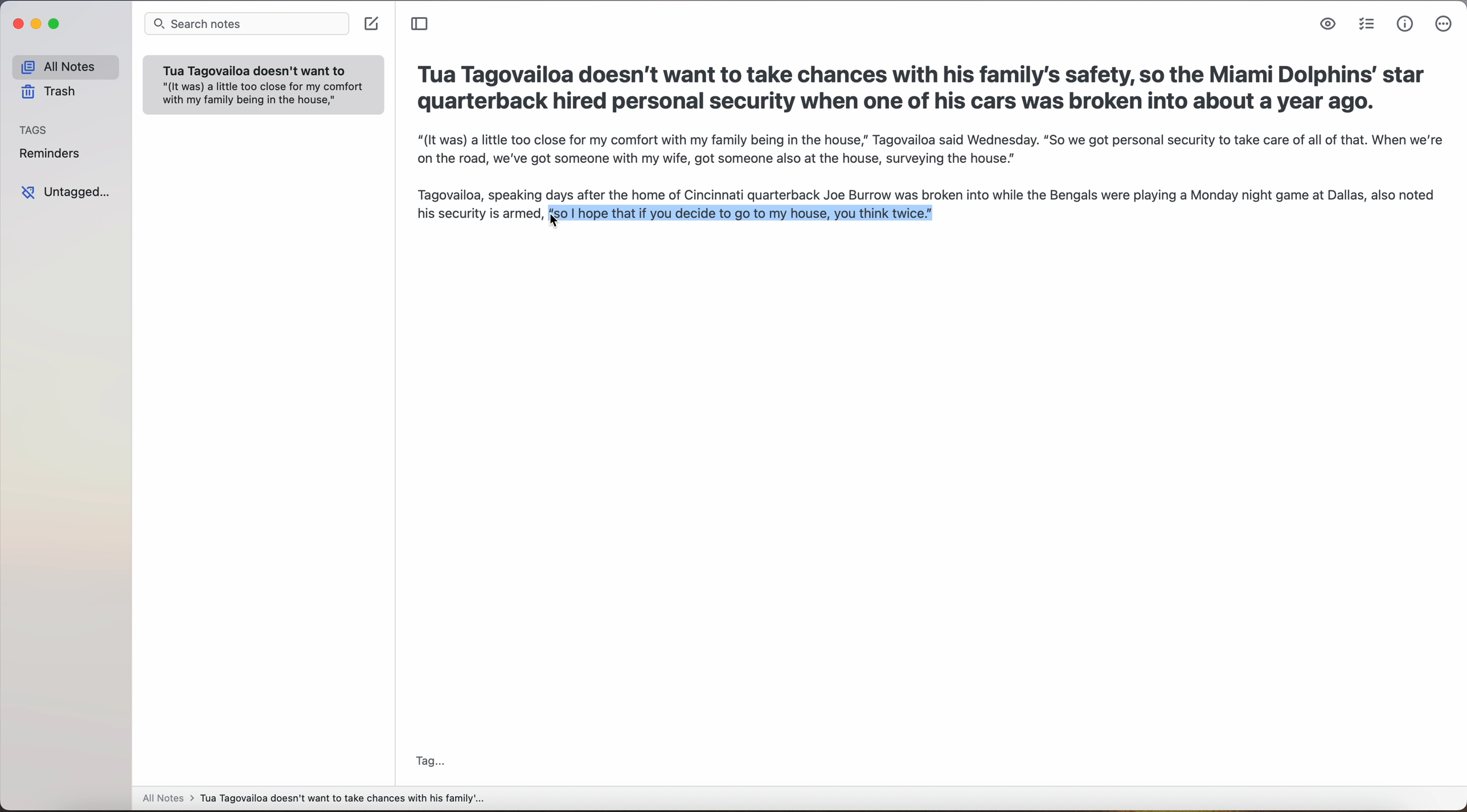 This screenshot has width=1467, height=812. What do you see at coordinates (1329, 25) in the screenshot?
I see `markdown` at bounding box center [1329, 25].